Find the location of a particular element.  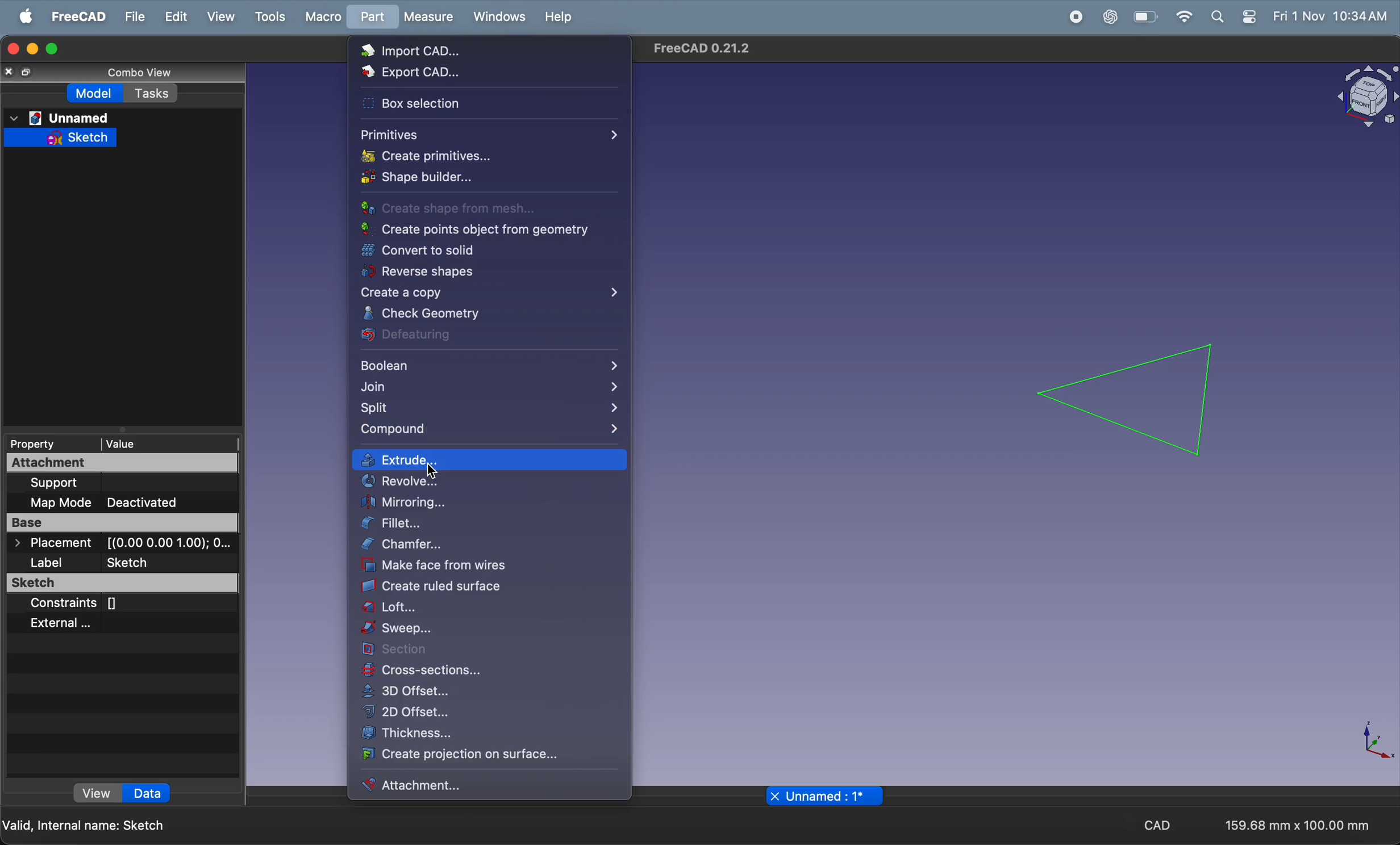

tasks is located at coordinates (155, 93).